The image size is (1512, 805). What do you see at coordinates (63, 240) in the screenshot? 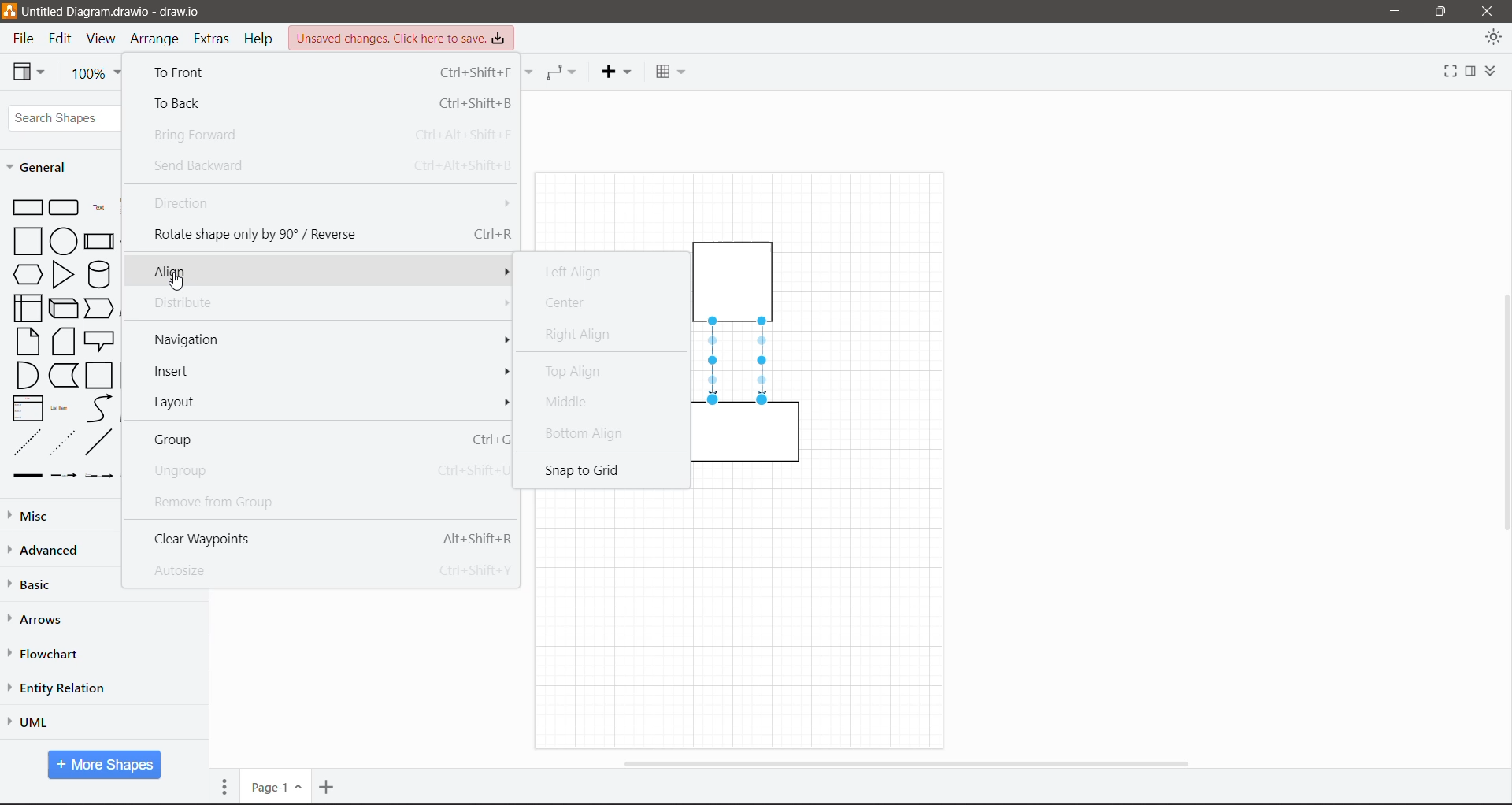
I see `Circle` at bounding box center [63, 240].